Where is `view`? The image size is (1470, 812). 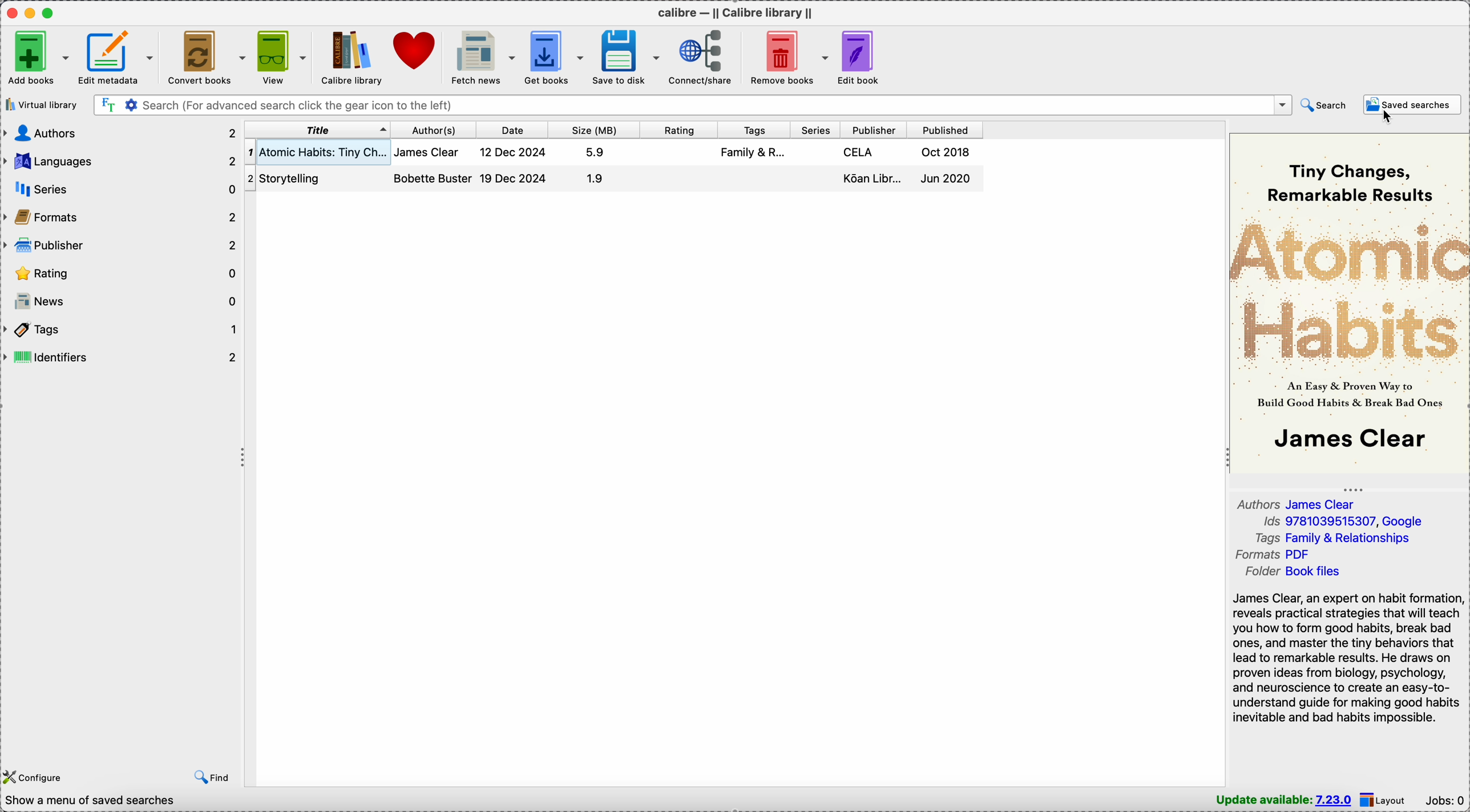
view is located at coordinates (281, 58).